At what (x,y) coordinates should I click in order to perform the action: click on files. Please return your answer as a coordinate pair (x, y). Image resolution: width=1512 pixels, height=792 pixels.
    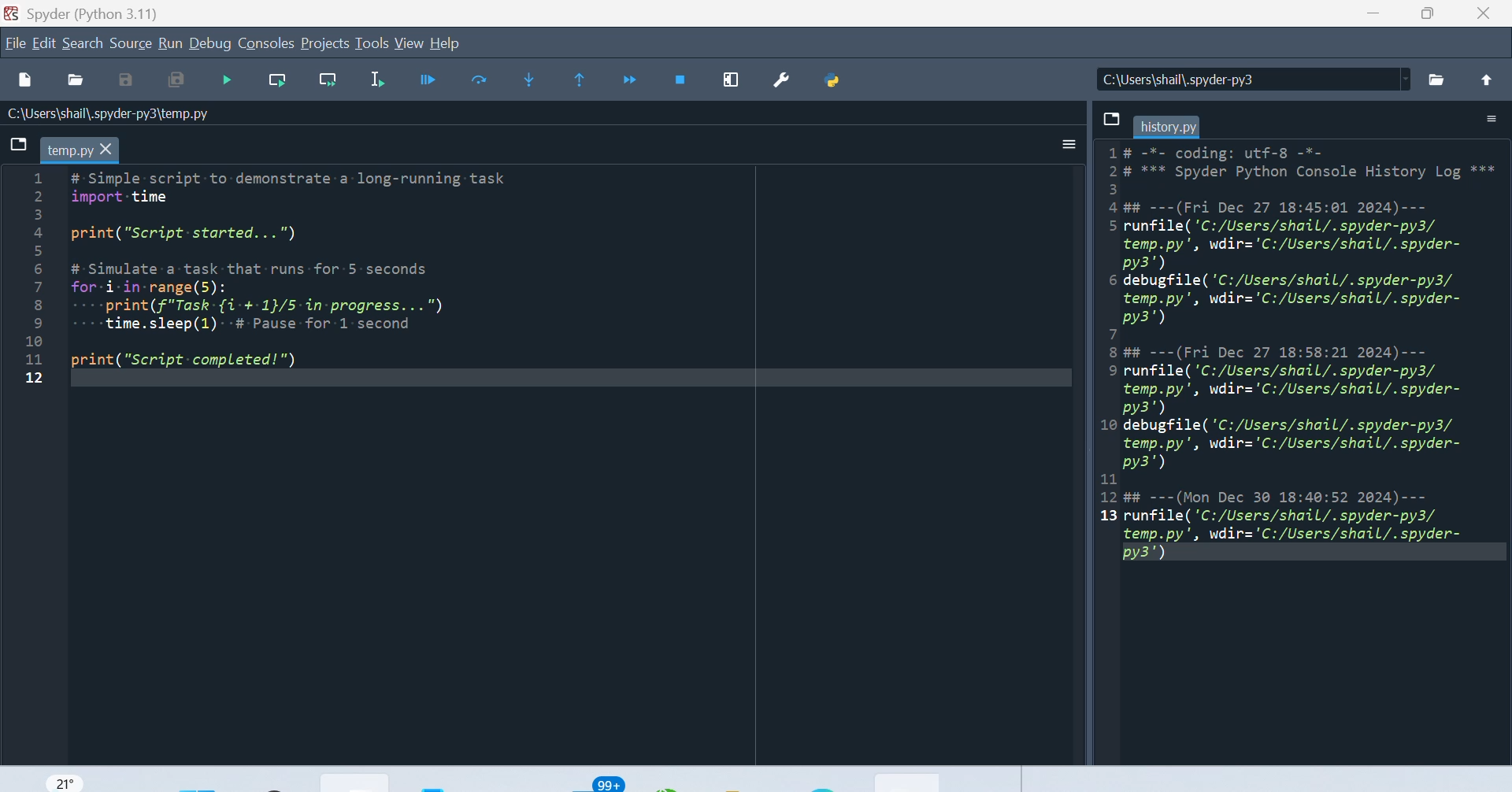
    Looking at the image, I should click on (1438, 74).